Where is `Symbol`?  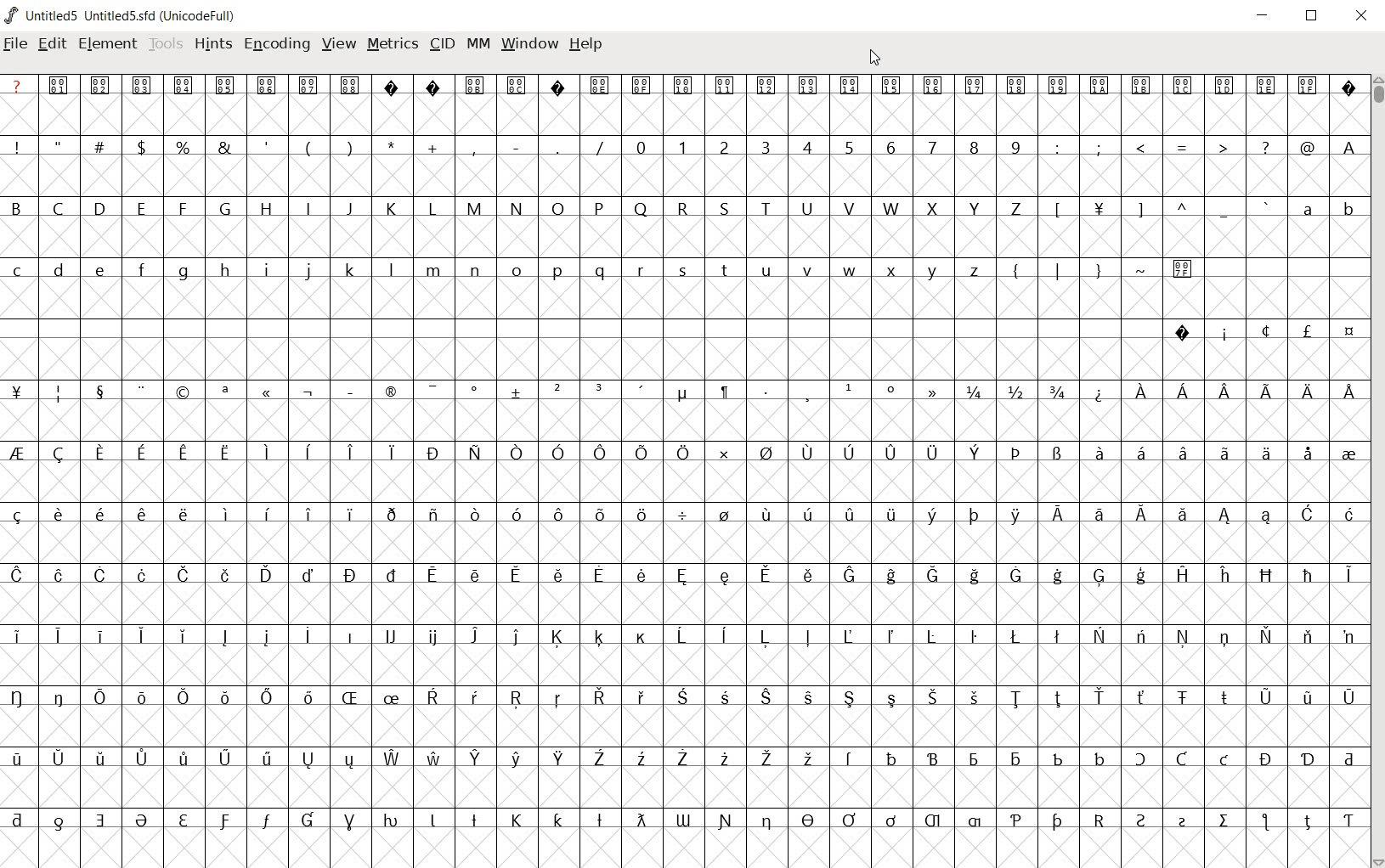 Symbol is located at coordinates (1348, 516).